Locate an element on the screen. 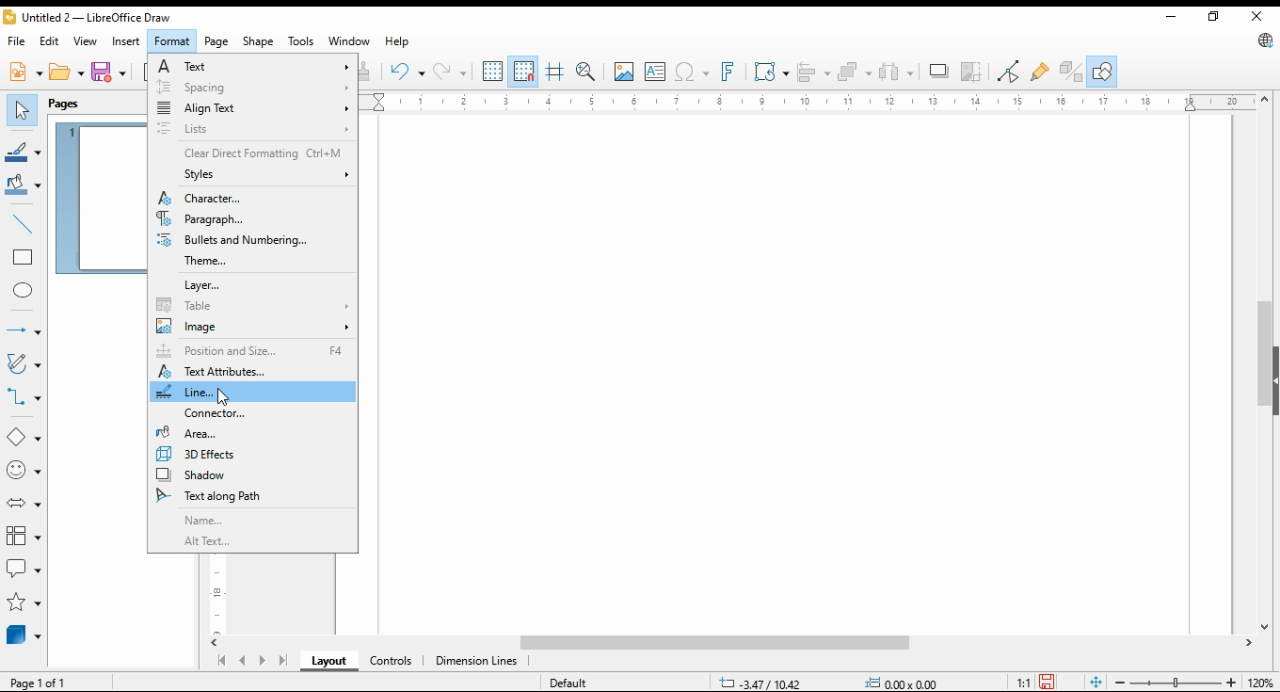 The height and width of the screenshot is (692, 1280). help is located at coordinates (397, 41).